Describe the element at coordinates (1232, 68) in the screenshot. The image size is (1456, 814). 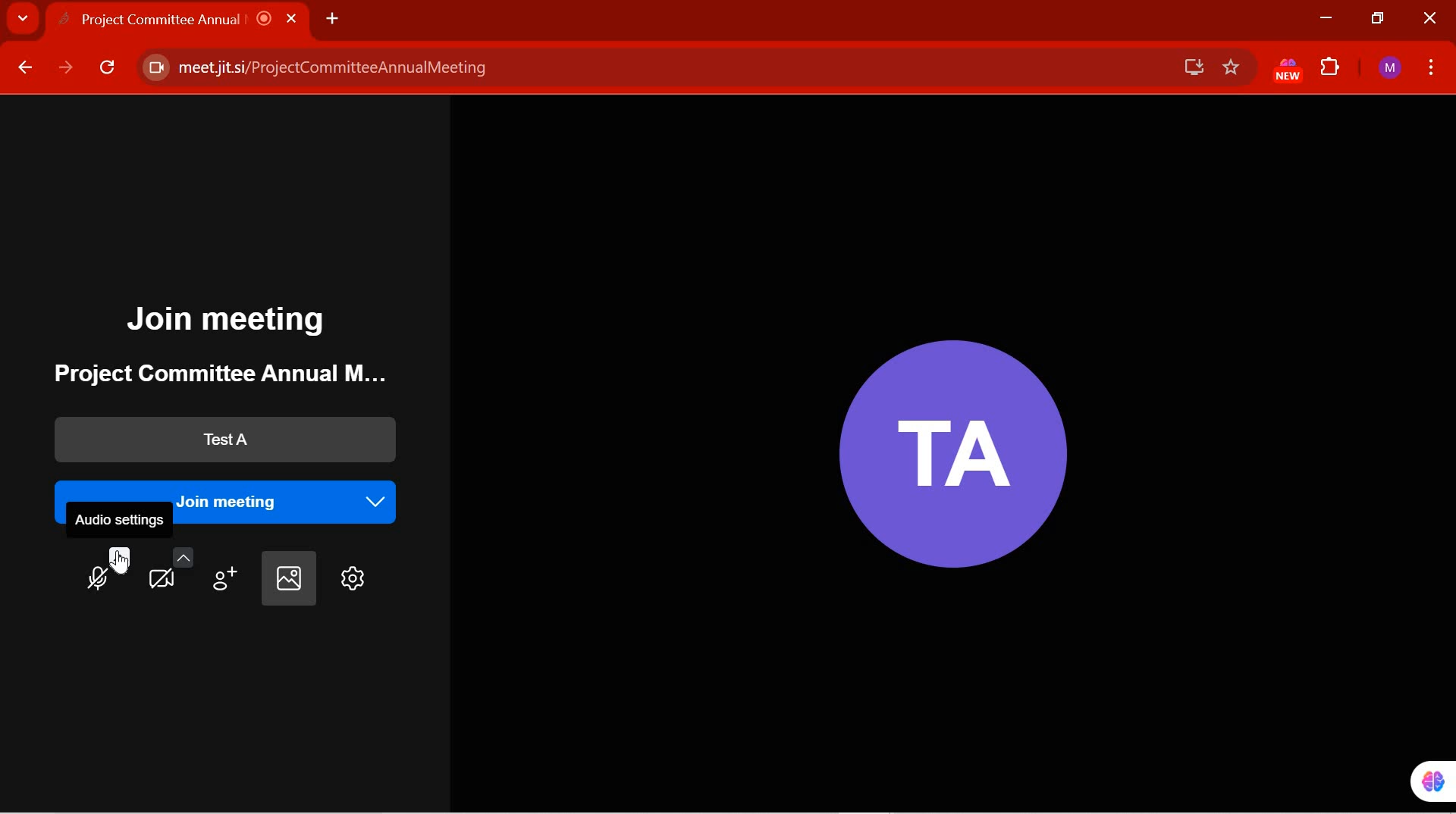
I see `favorites` at that location.